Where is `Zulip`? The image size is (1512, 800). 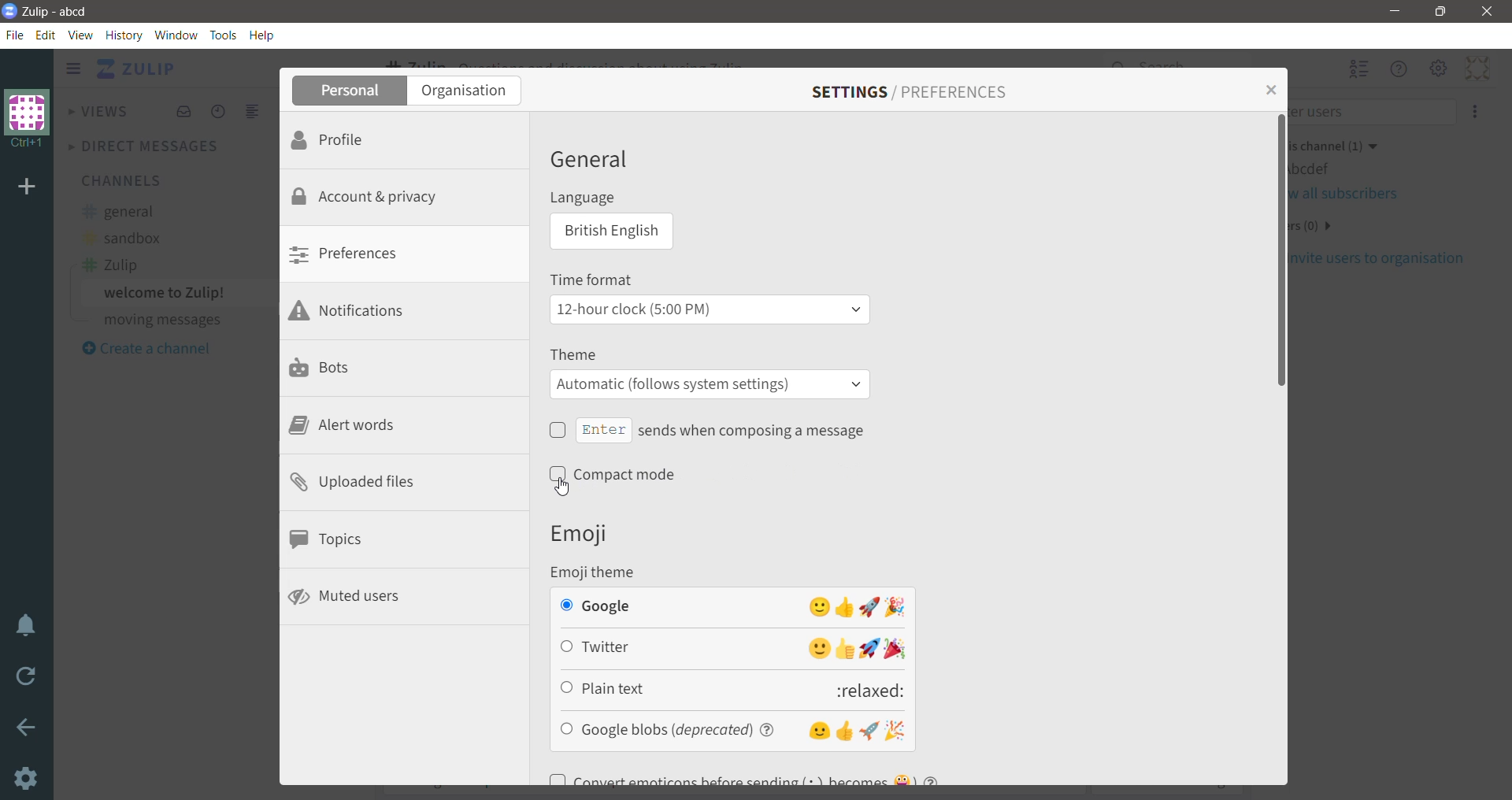 Zulip is located at coordinates (110, 265).